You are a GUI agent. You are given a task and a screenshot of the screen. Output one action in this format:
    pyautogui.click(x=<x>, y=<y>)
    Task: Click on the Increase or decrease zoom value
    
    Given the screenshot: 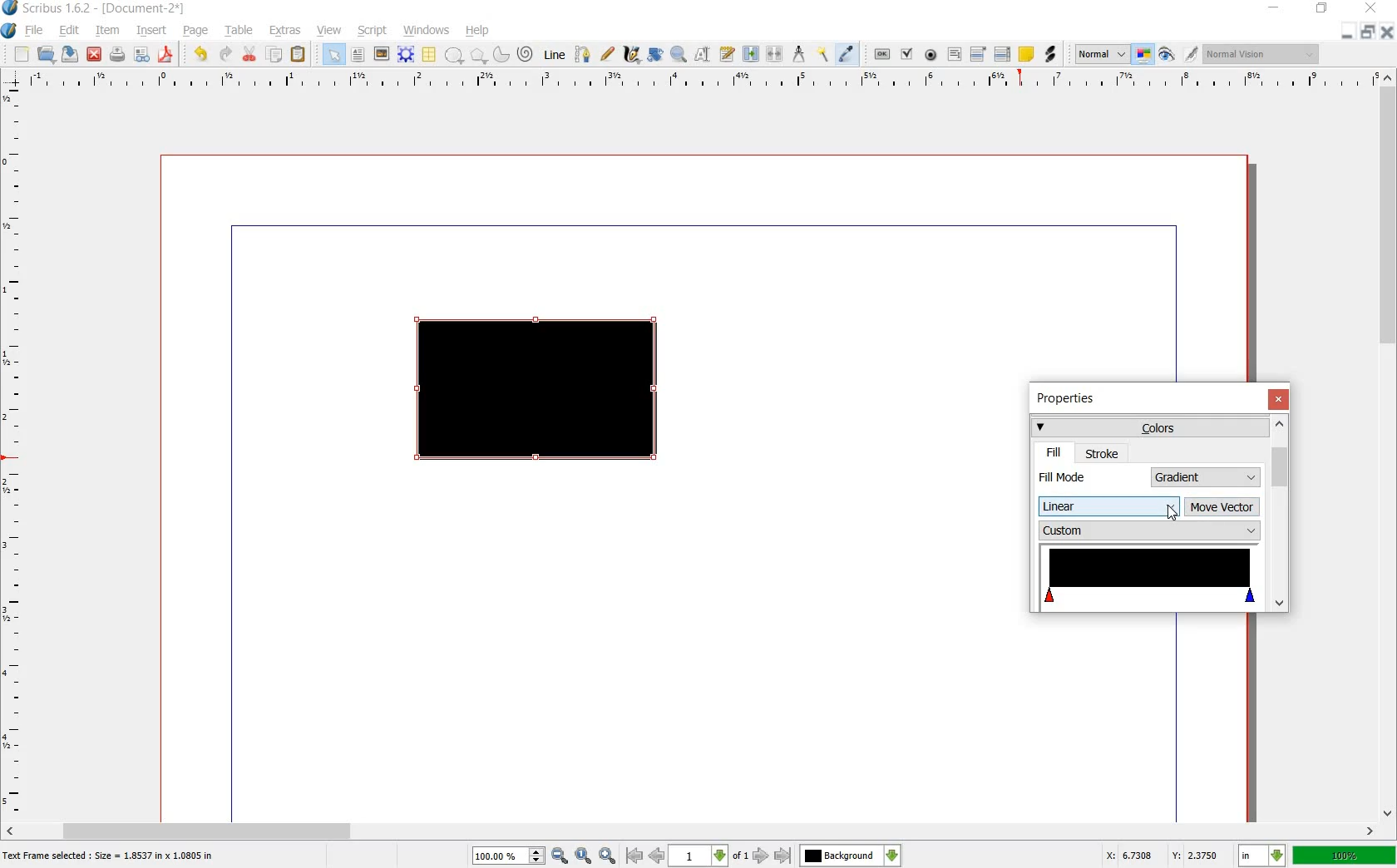 What is the action you would take?
    pyautogui.click(x=537, y=856)
    